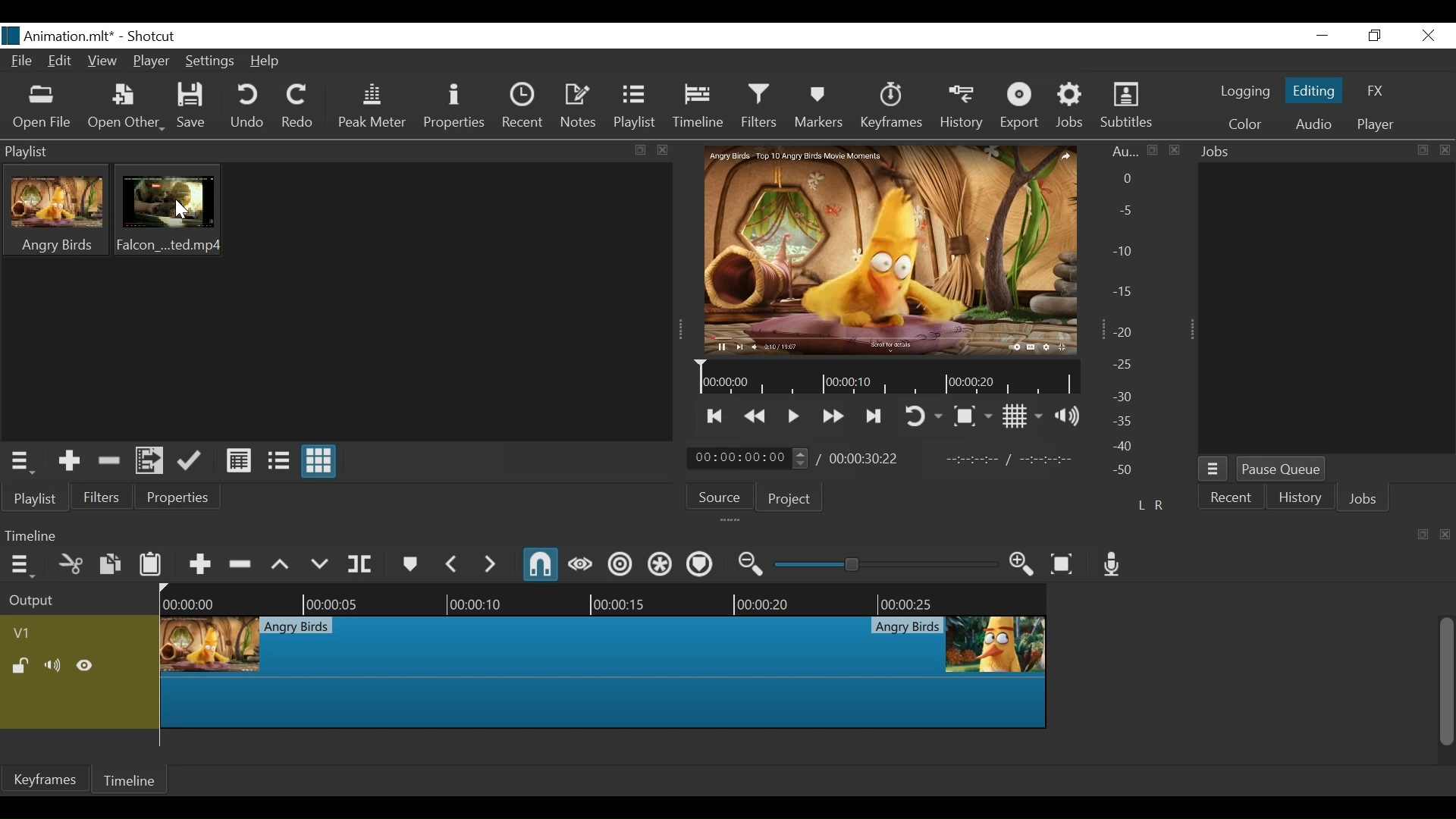  Describe the element at coordinates (1070, 108) in the screenshot. I see `Jobs` at that location.